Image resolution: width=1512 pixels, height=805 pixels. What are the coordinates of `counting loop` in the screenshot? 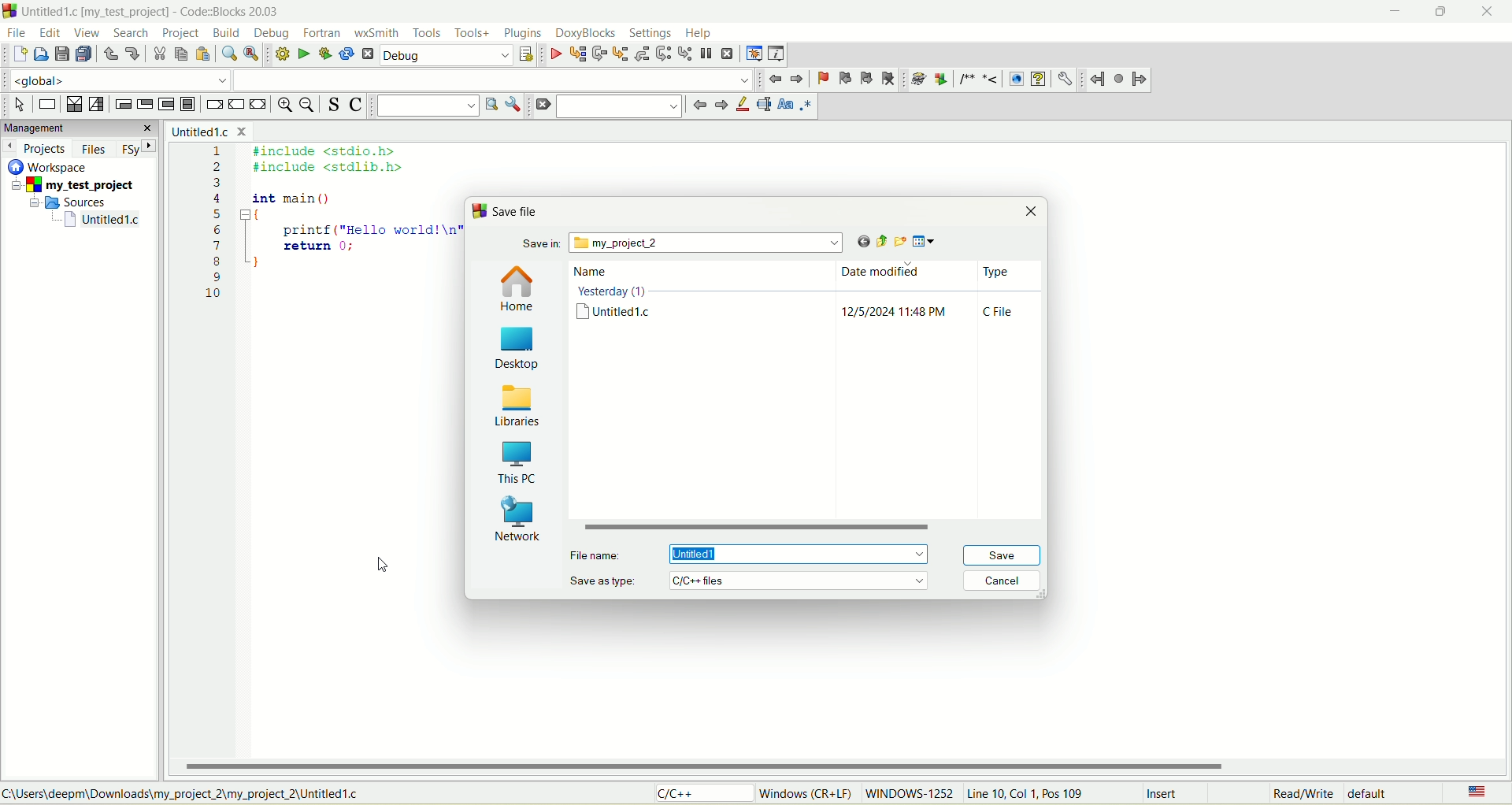 It's located at (168, 106).